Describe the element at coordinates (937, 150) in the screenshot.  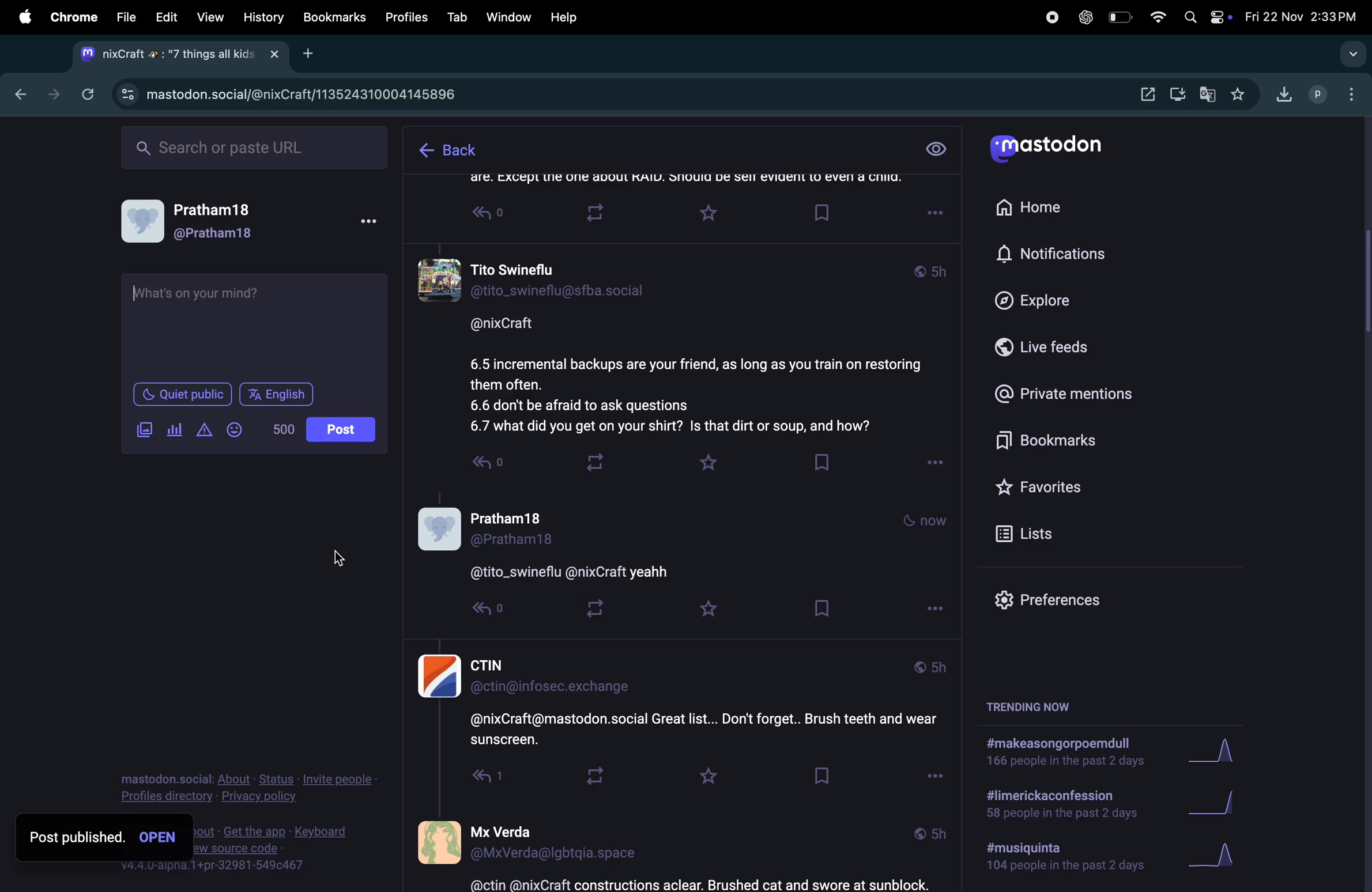
I see `view` at that location.